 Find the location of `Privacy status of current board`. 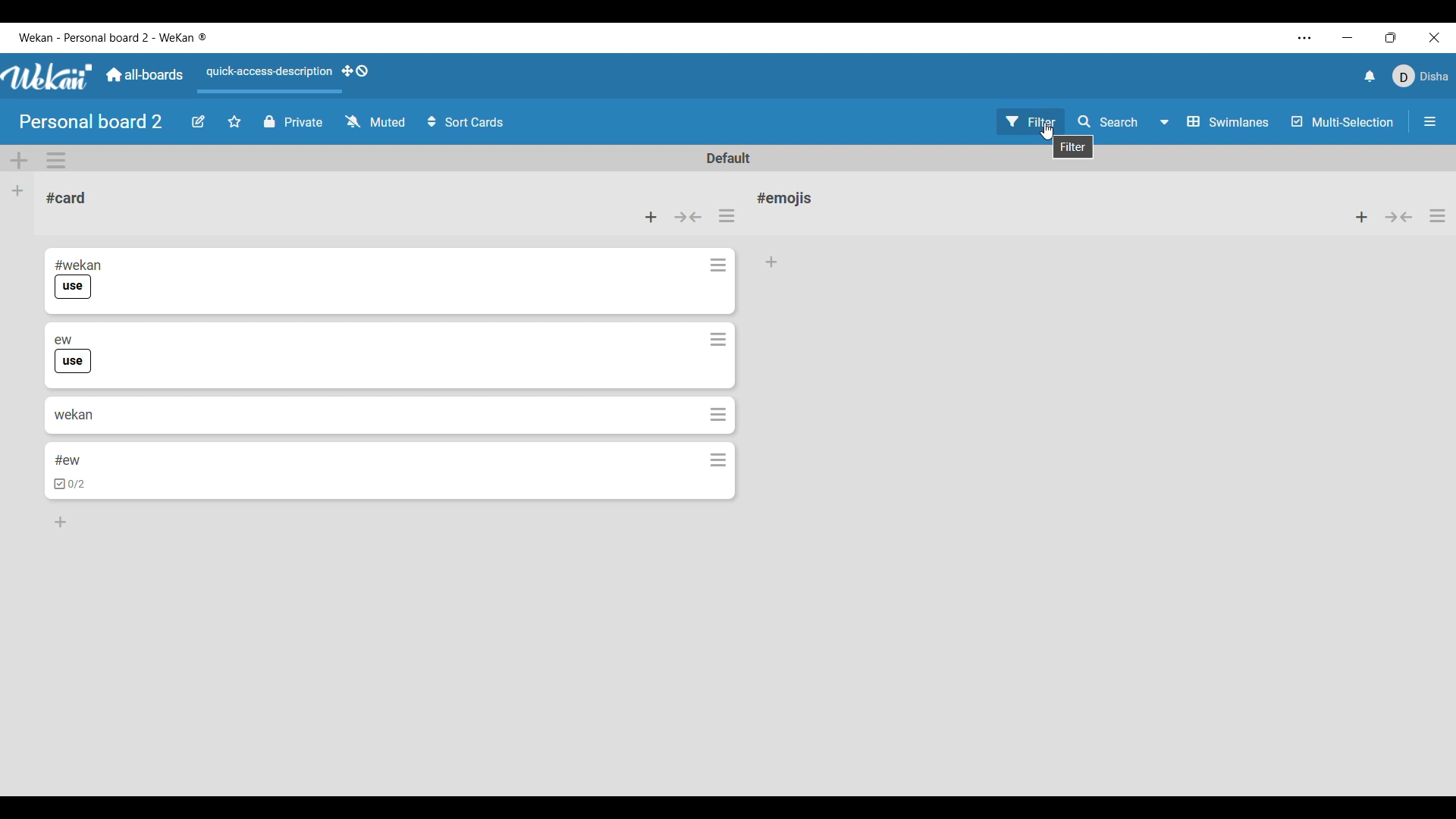

Privacy status of current board is located at coordinates (293, 121).